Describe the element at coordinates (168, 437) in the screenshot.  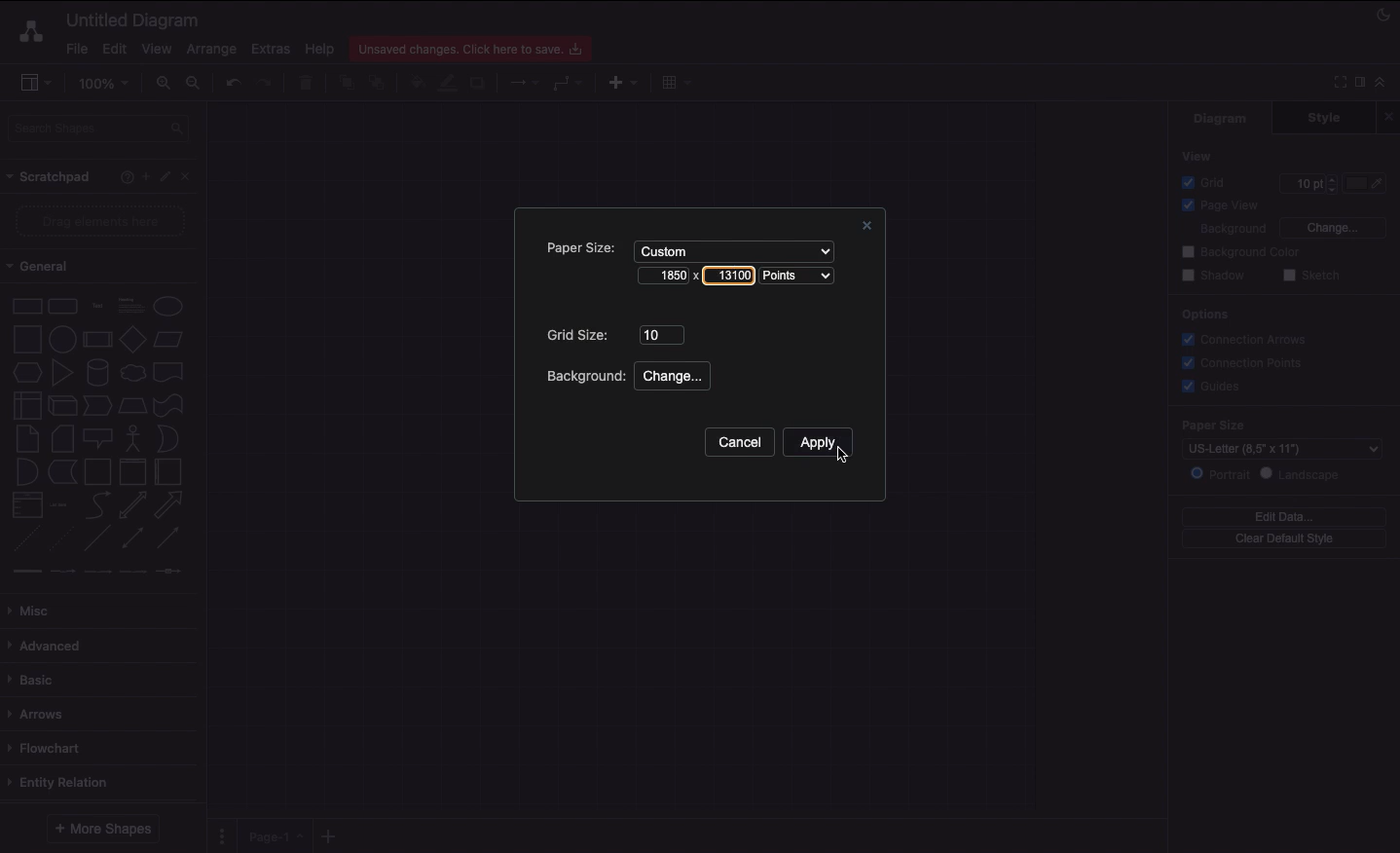
I see `Or` at that location.